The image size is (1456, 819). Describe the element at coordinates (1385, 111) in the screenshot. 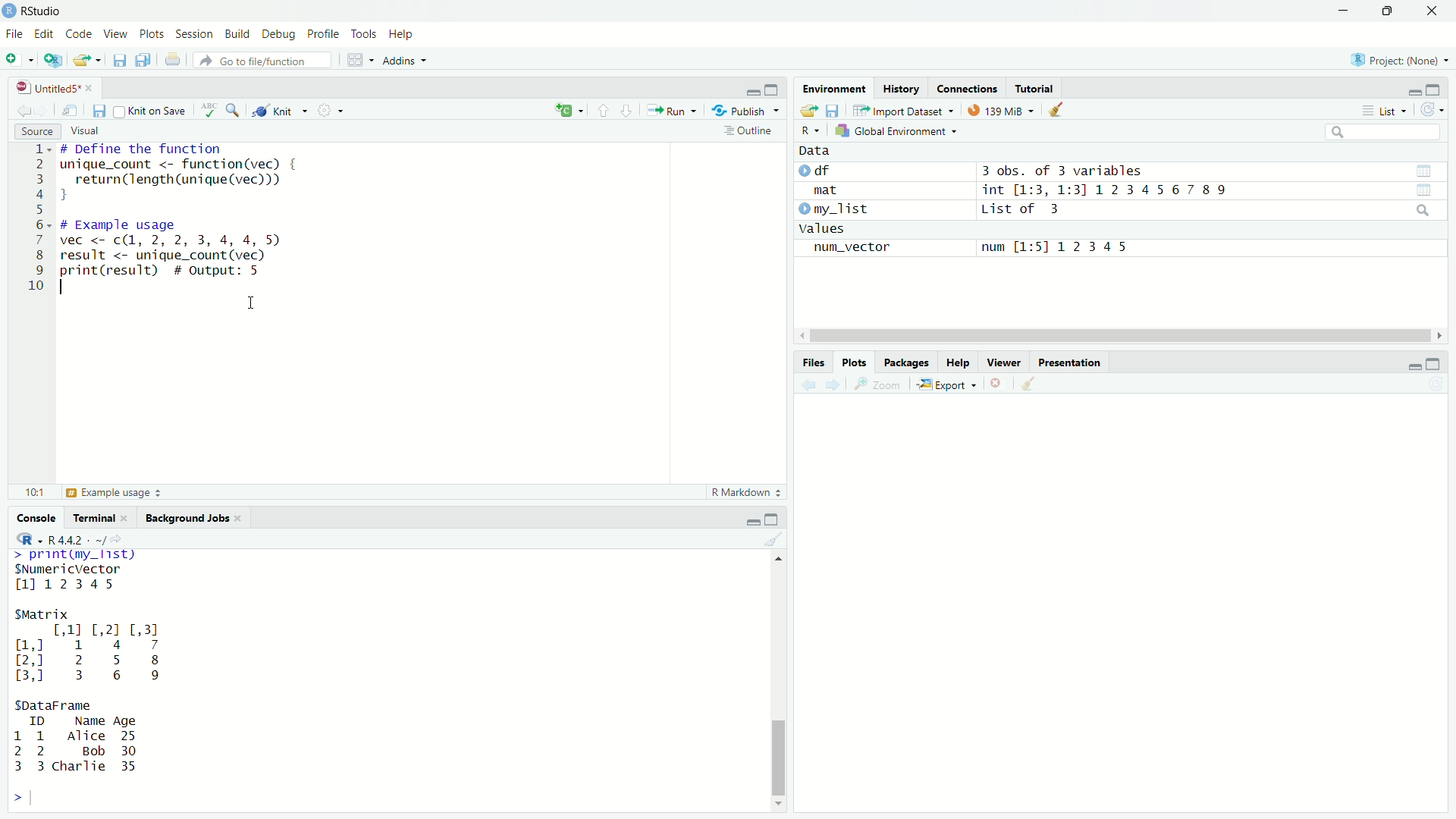

I see `List` at that location.